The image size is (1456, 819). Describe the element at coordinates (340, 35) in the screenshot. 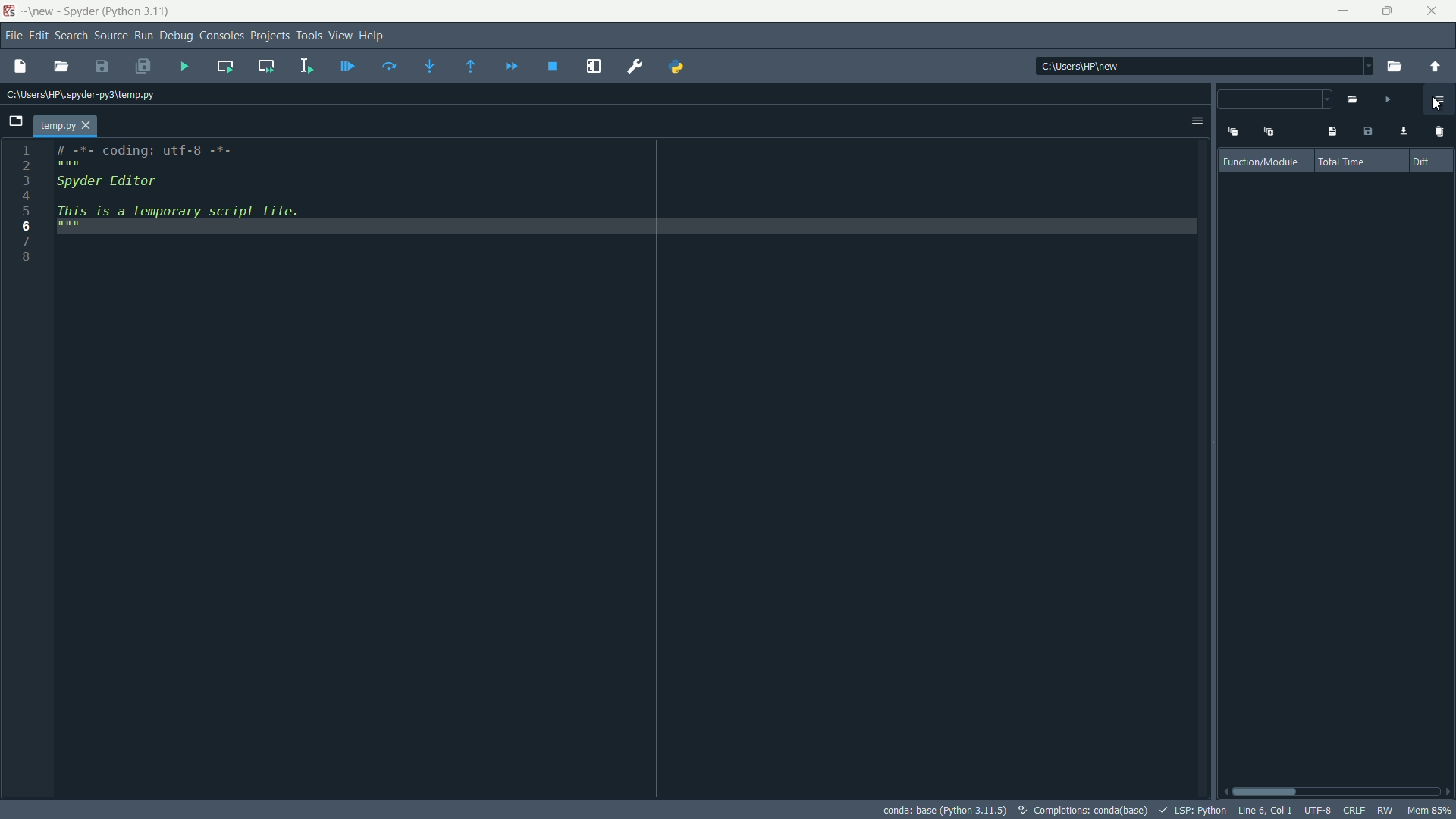

I see `view menu` at that location.